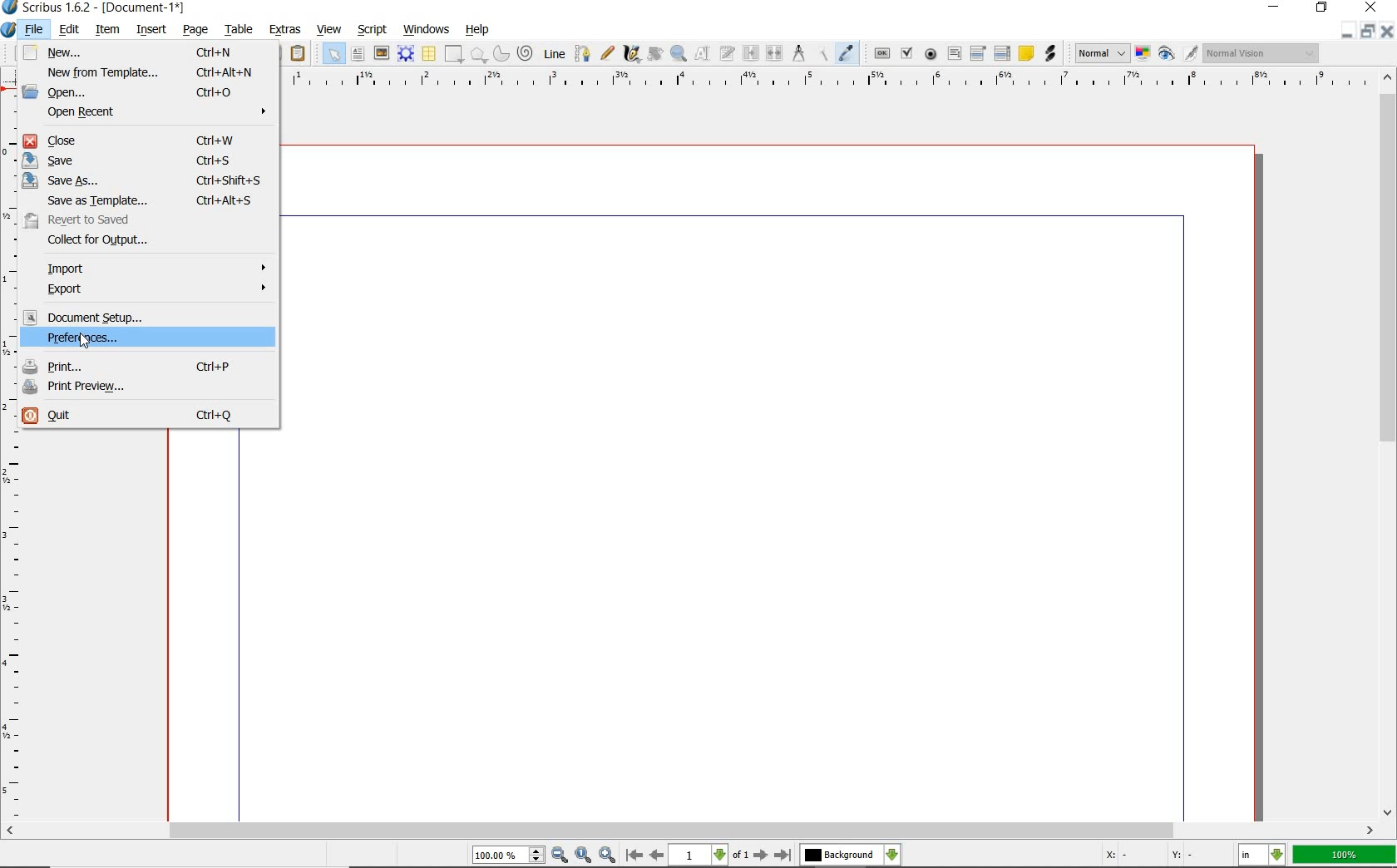  I want to click on save, so click(148, 159).